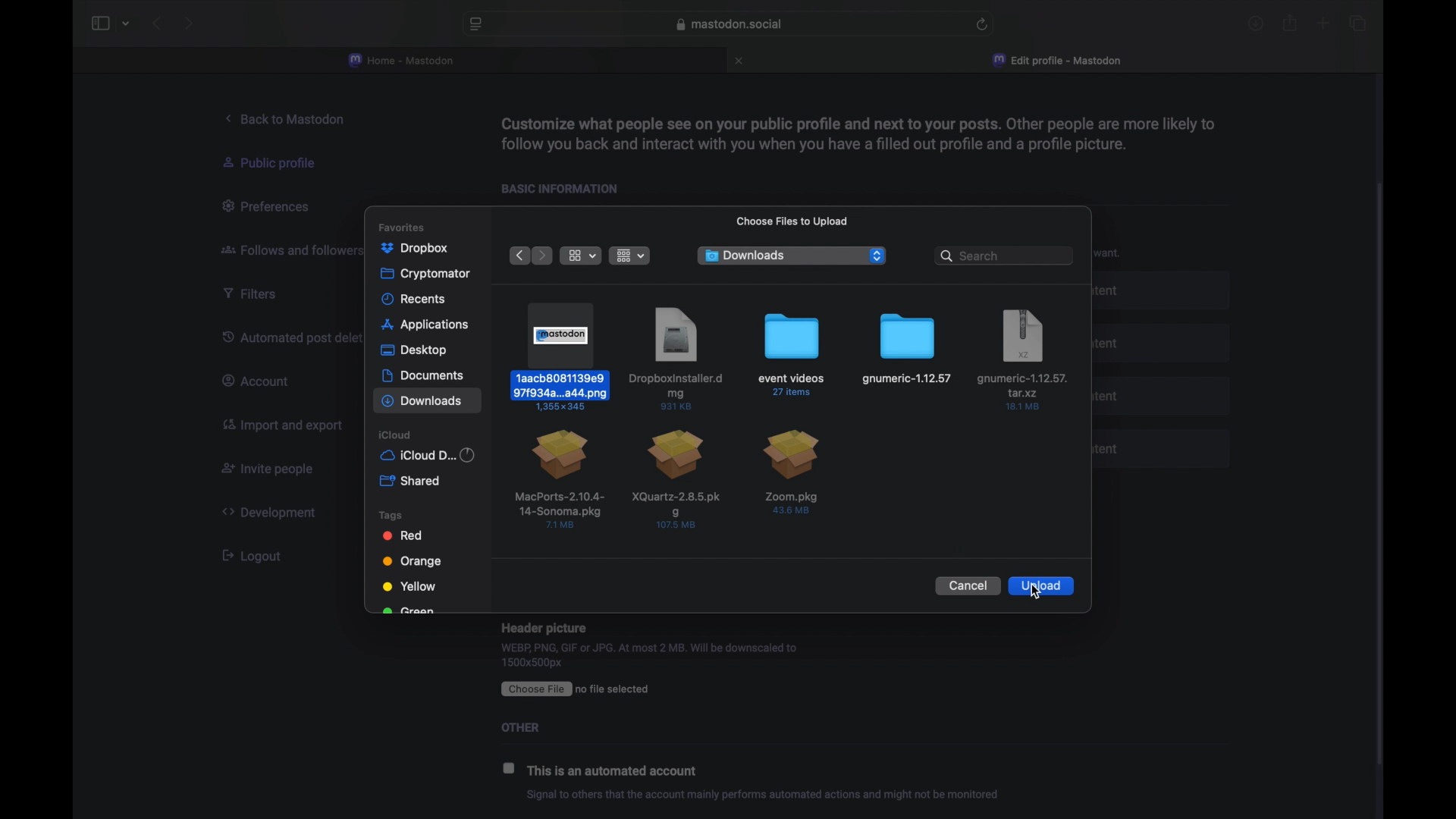 This screenshot has height=819, width=1456. What do you see at coordinates (402, 61) in the screenshot?
I see `home - mastodon` at bounding box center [402, 61].